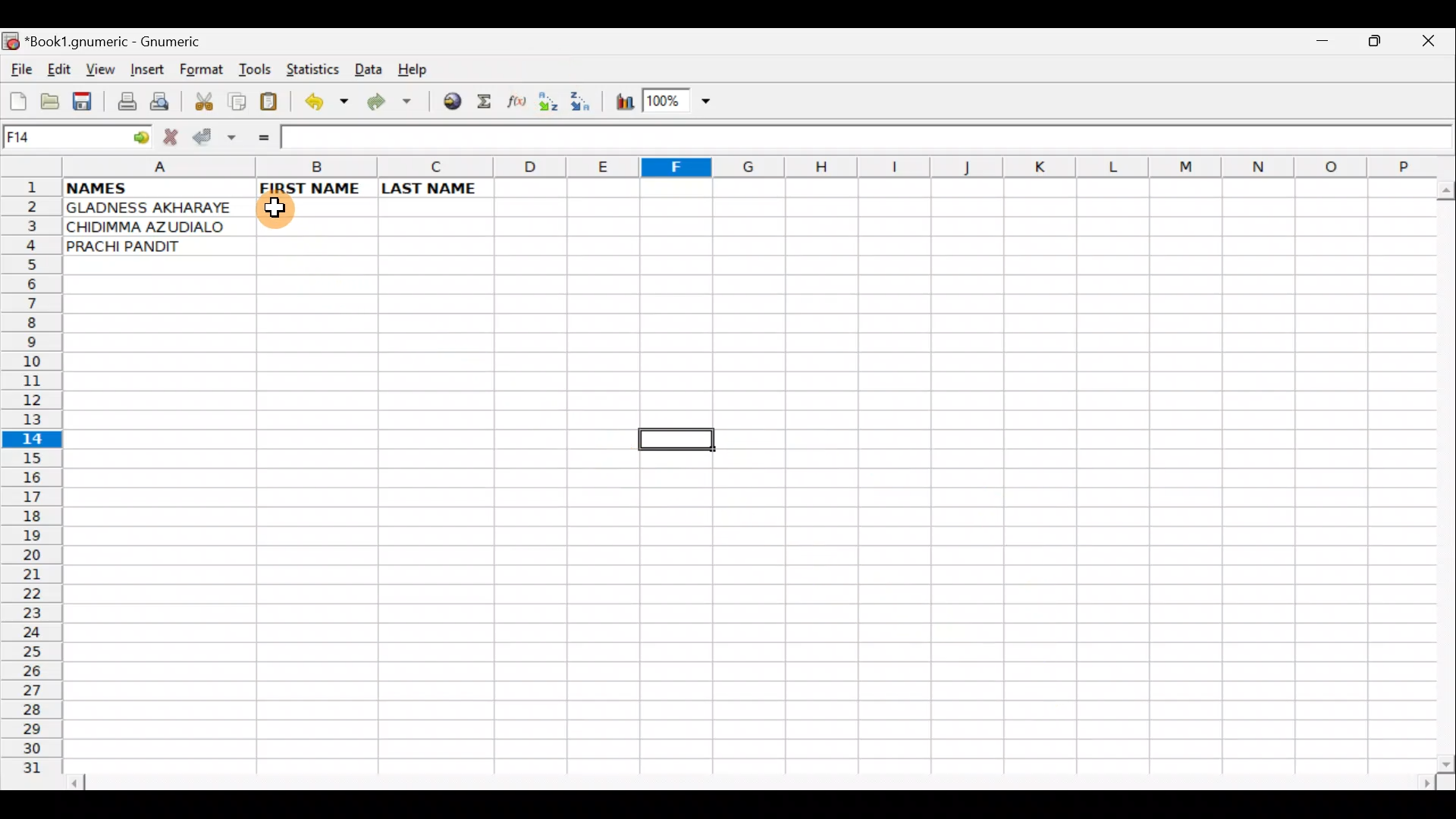  I want to click on View, so click(96, 69).